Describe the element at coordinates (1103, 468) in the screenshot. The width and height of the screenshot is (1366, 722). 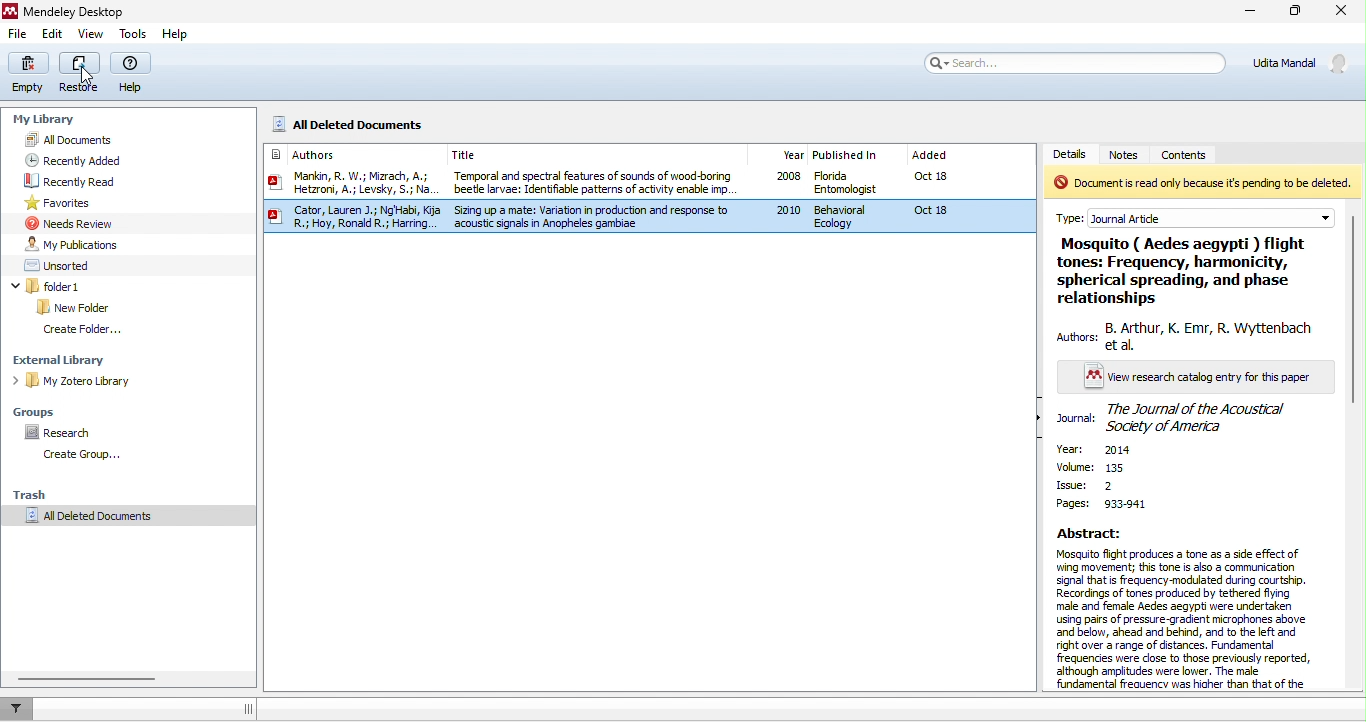
I see `volume` at that location.